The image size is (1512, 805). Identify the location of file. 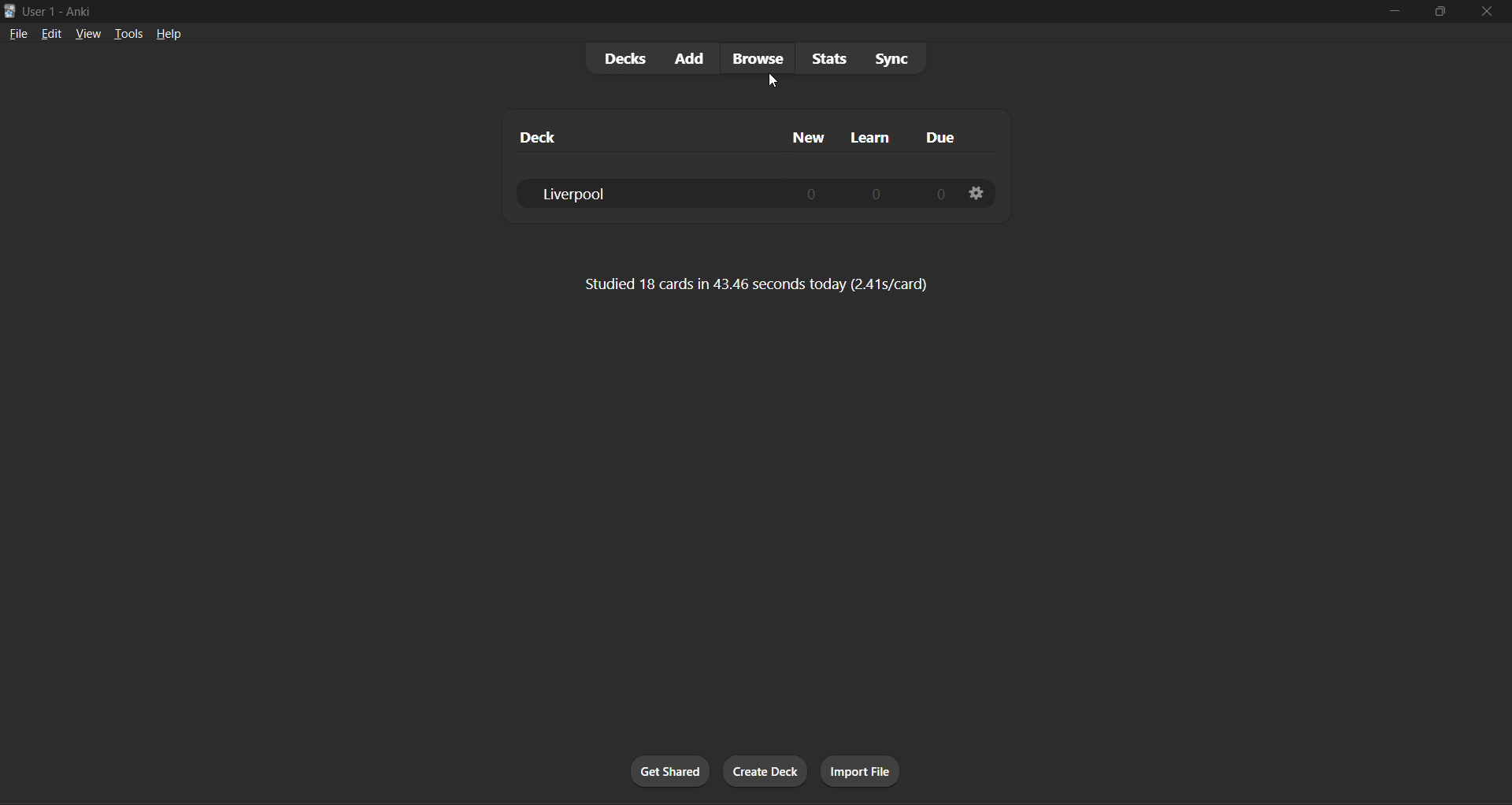
(19, 35).